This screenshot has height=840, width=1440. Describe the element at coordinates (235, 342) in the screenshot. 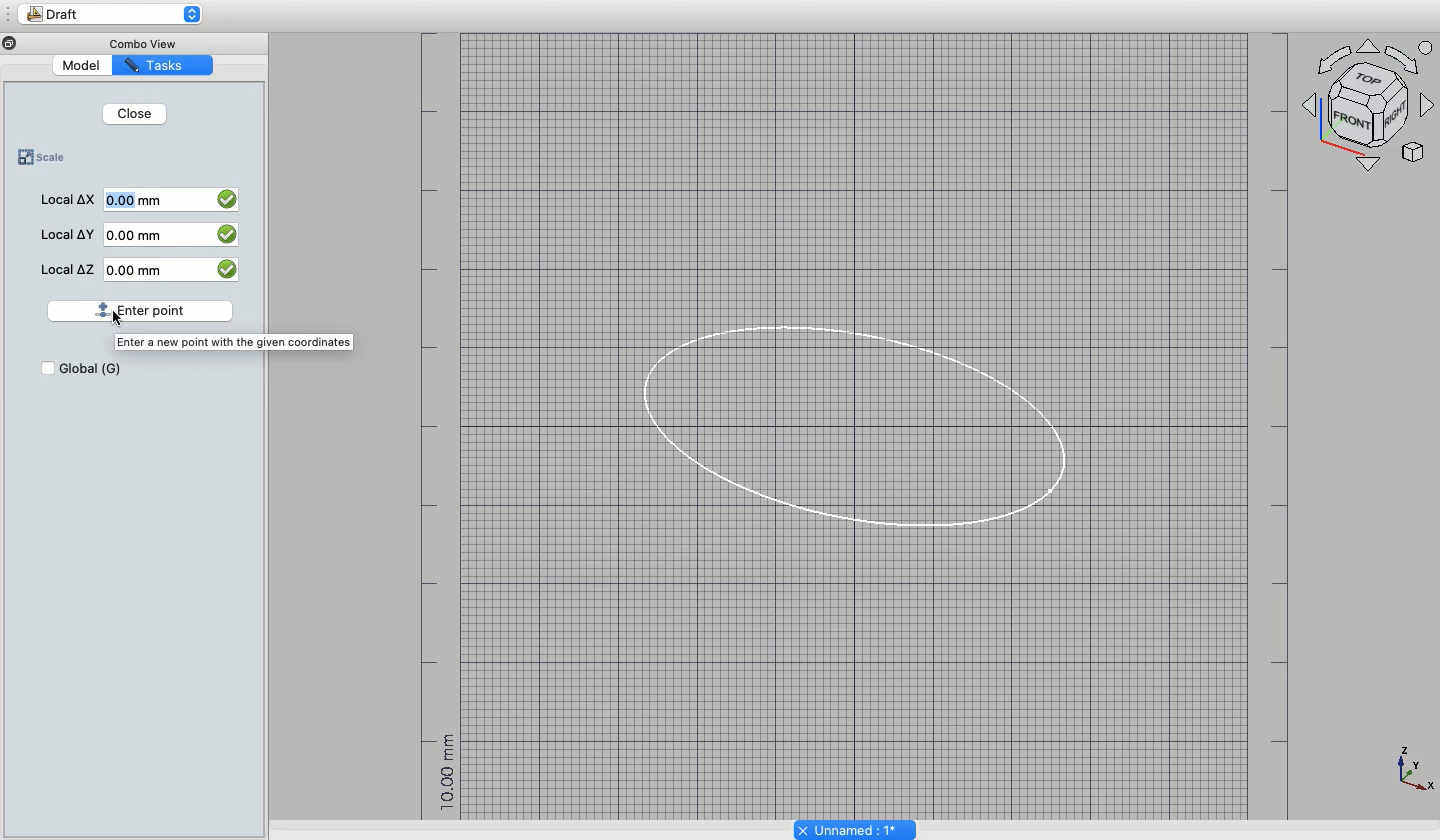

I see `Enter a new point with the given coordinates` at that location.